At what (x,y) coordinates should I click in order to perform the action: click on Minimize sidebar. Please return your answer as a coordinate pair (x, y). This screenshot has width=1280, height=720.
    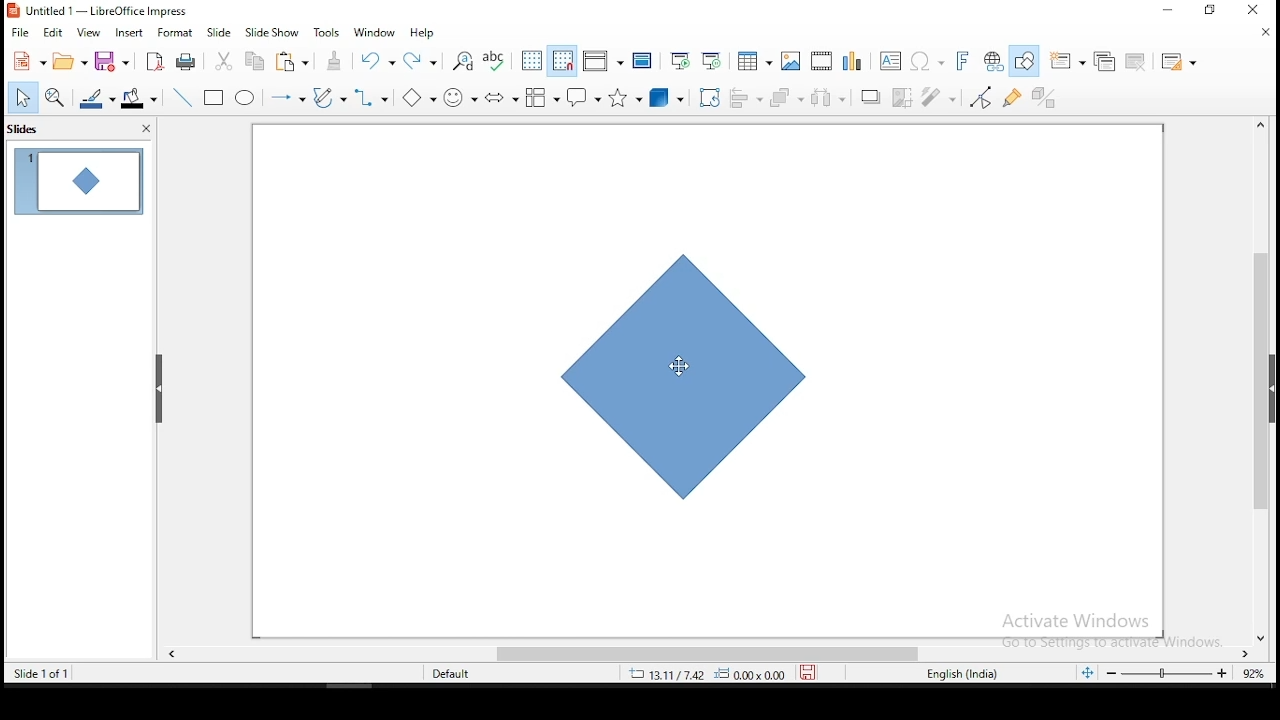
    Looking at the image, I should click on (160, 391).